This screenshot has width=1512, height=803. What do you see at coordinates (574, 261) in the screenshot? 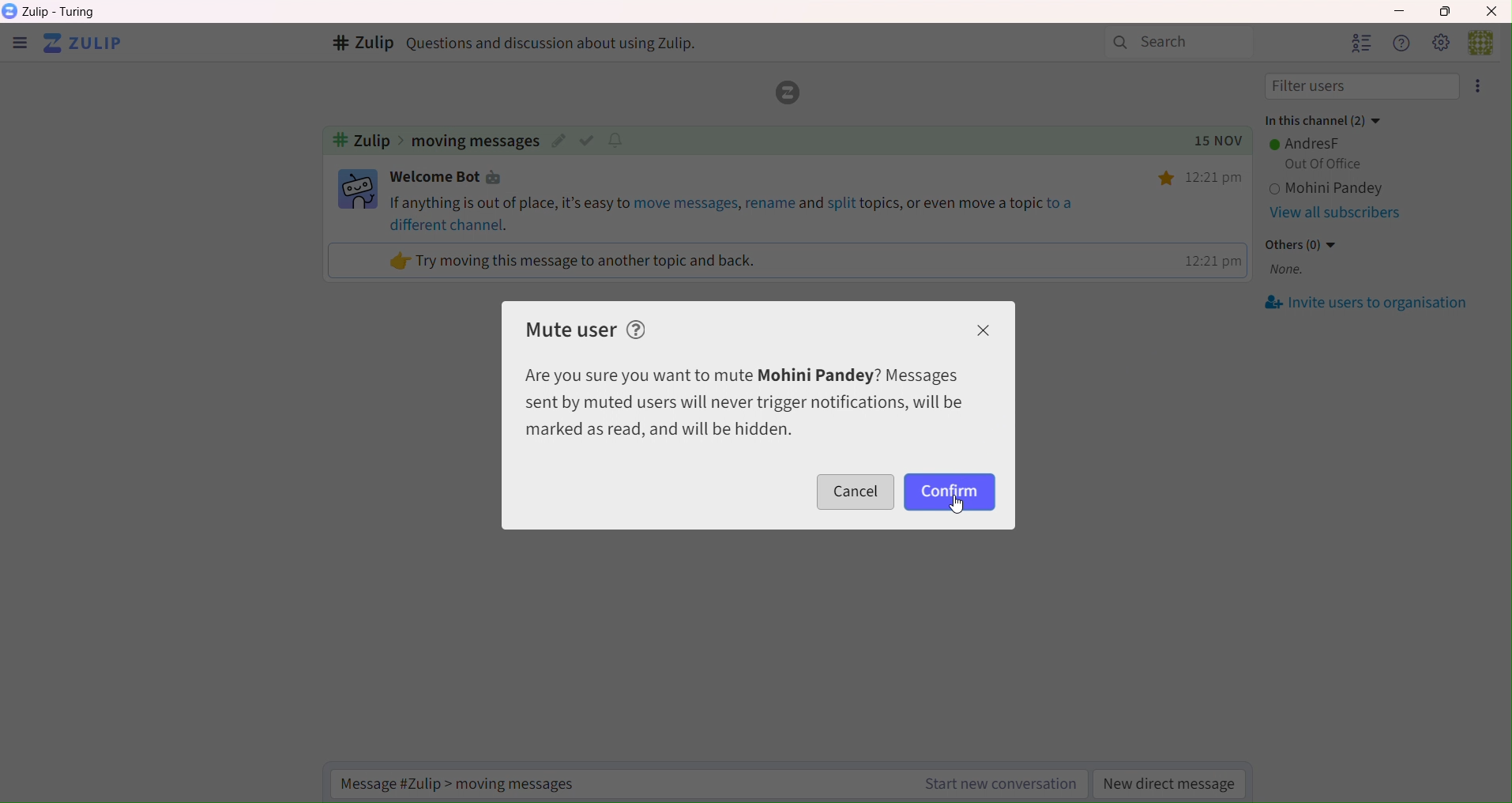
I see `Try moving this message to another topic and back.` at bounding box center [574, 261].